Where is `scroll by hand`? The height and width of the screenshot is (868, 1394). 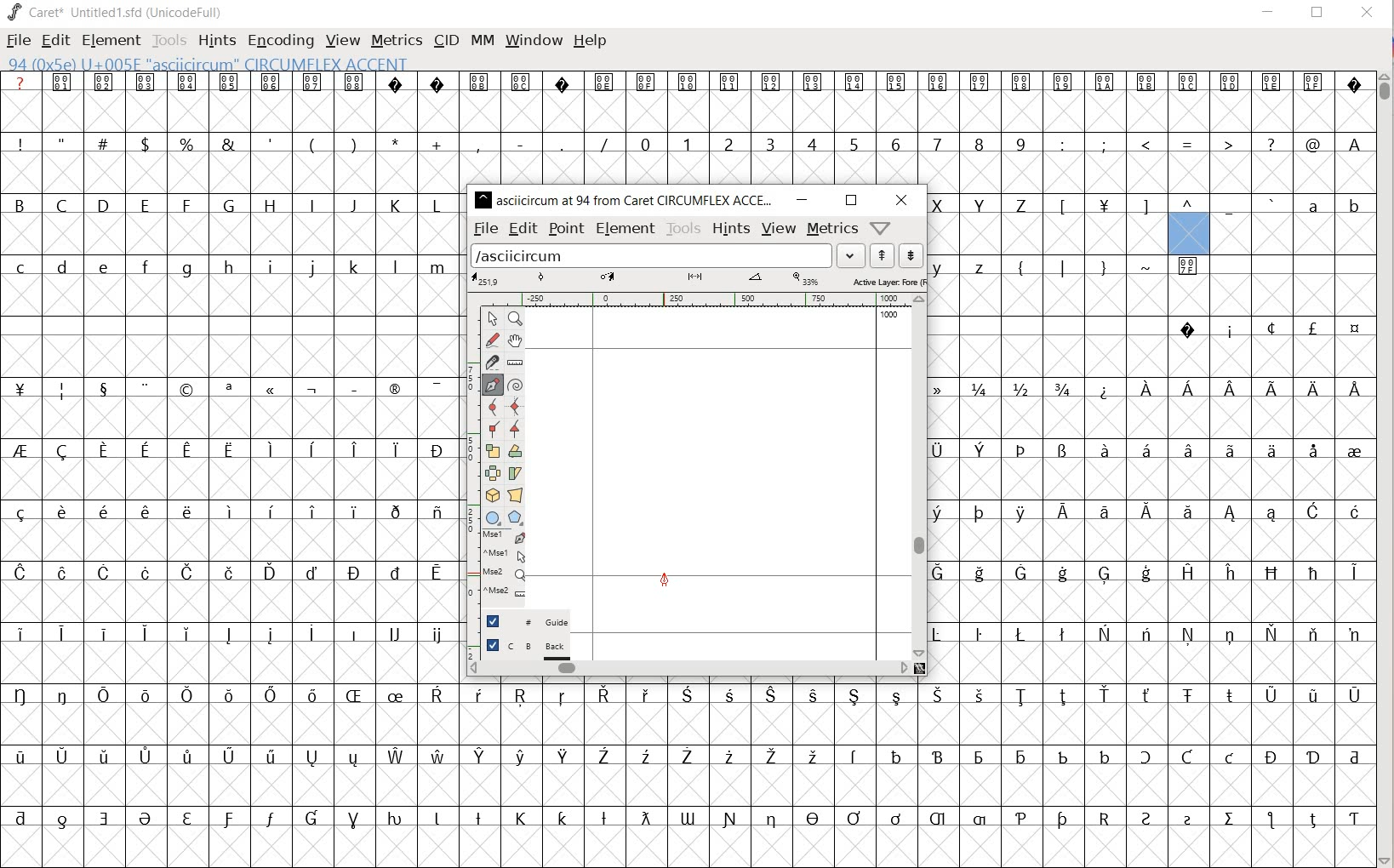 scroll by hand is located at coordinates (517, 340).